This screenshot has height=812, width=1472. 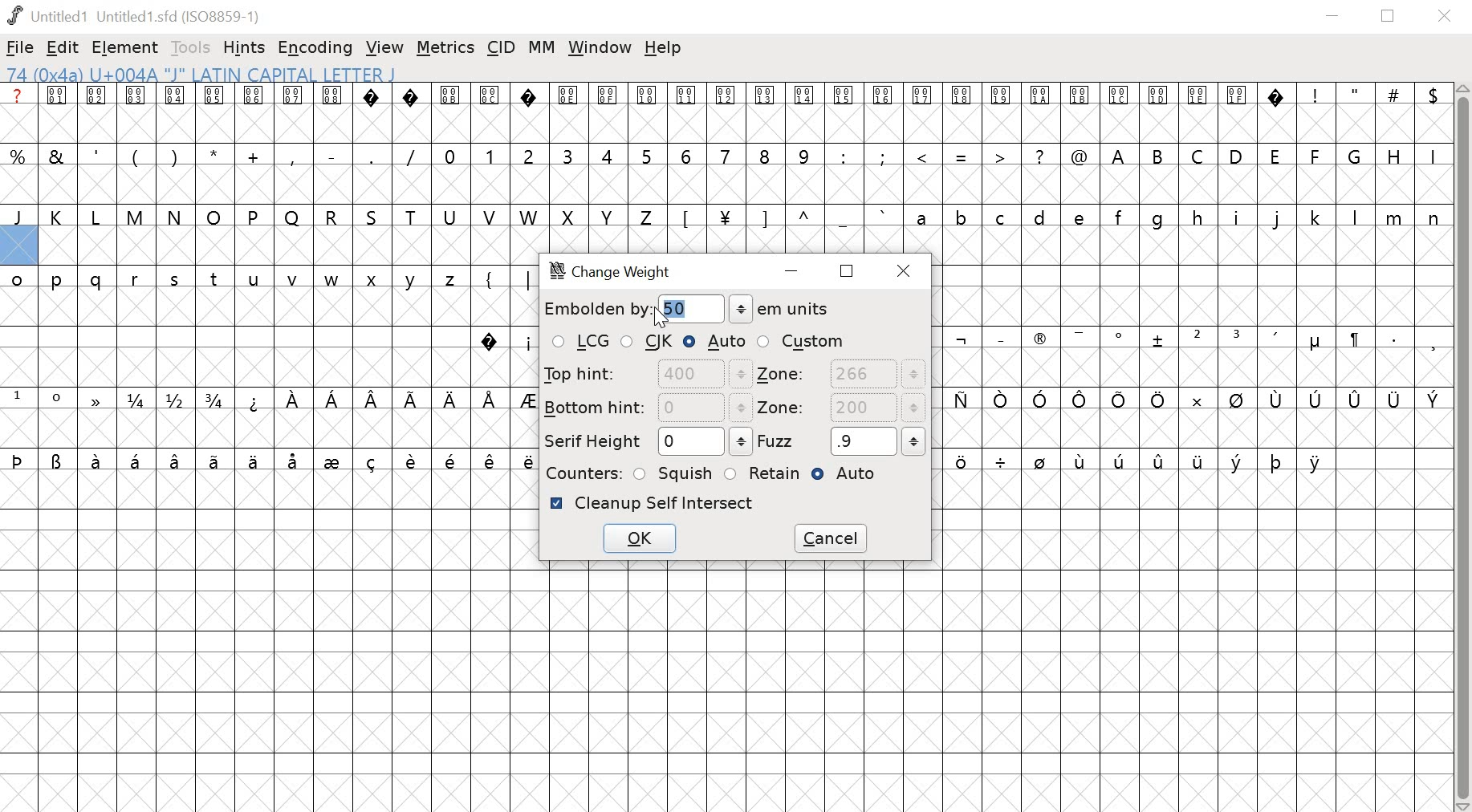 I want to click on close, so click(x=1447, y=17).